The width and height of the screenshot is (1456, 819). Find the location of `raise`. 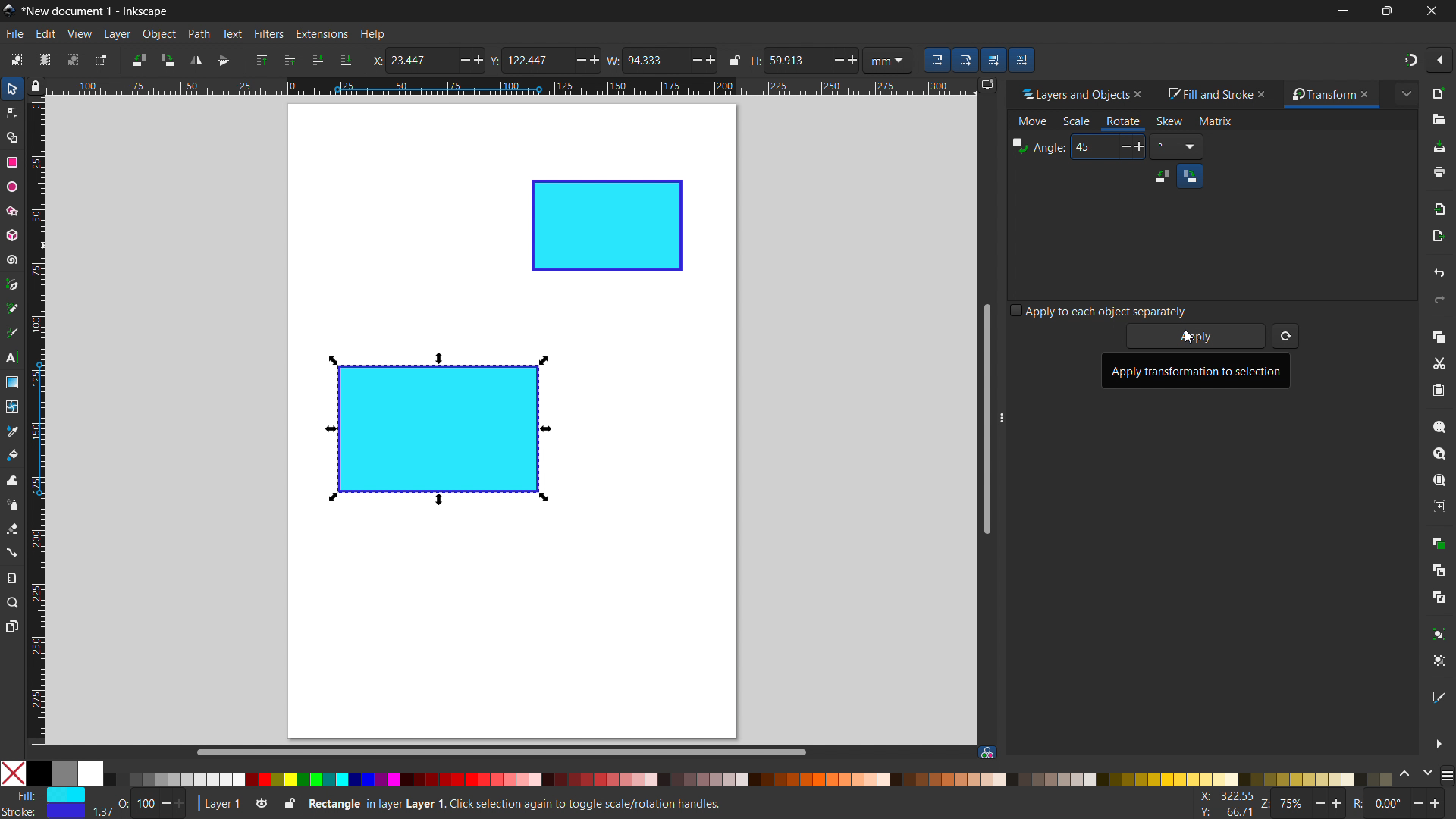

raise is located at coordinates (290, 60).